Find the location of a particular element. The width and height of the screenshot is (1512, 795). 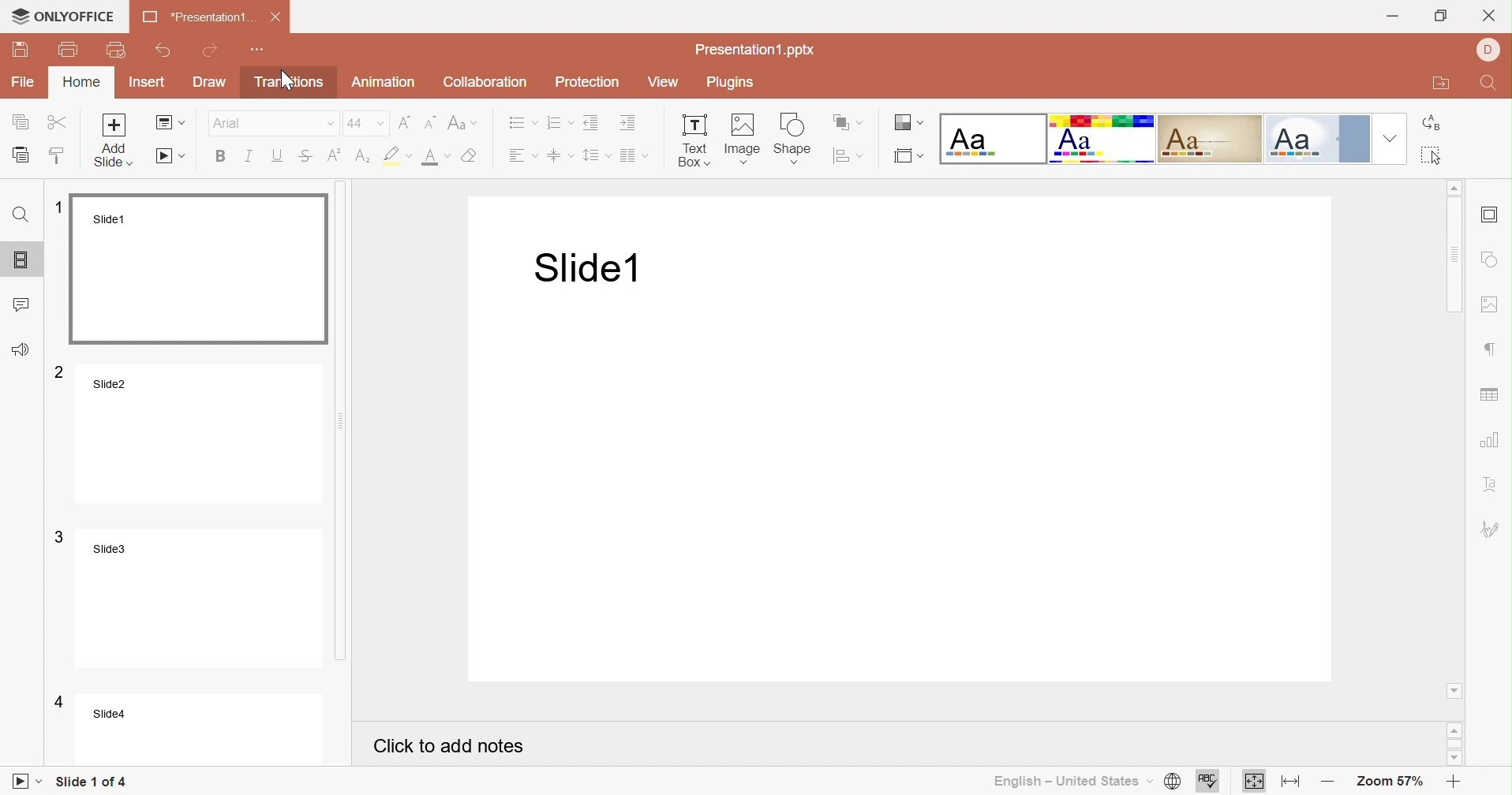

Increase indent is located at coordinates (626, 121).